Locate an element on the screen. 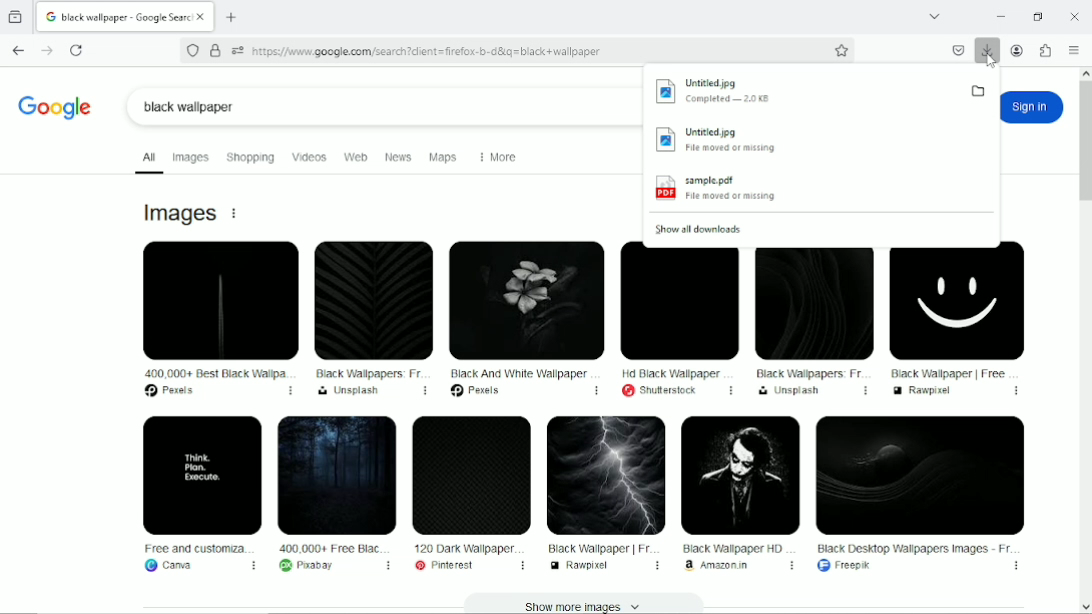 The image size is (1092, 614). you have granted this website additional permissions  is located at coordinates (238, 50).